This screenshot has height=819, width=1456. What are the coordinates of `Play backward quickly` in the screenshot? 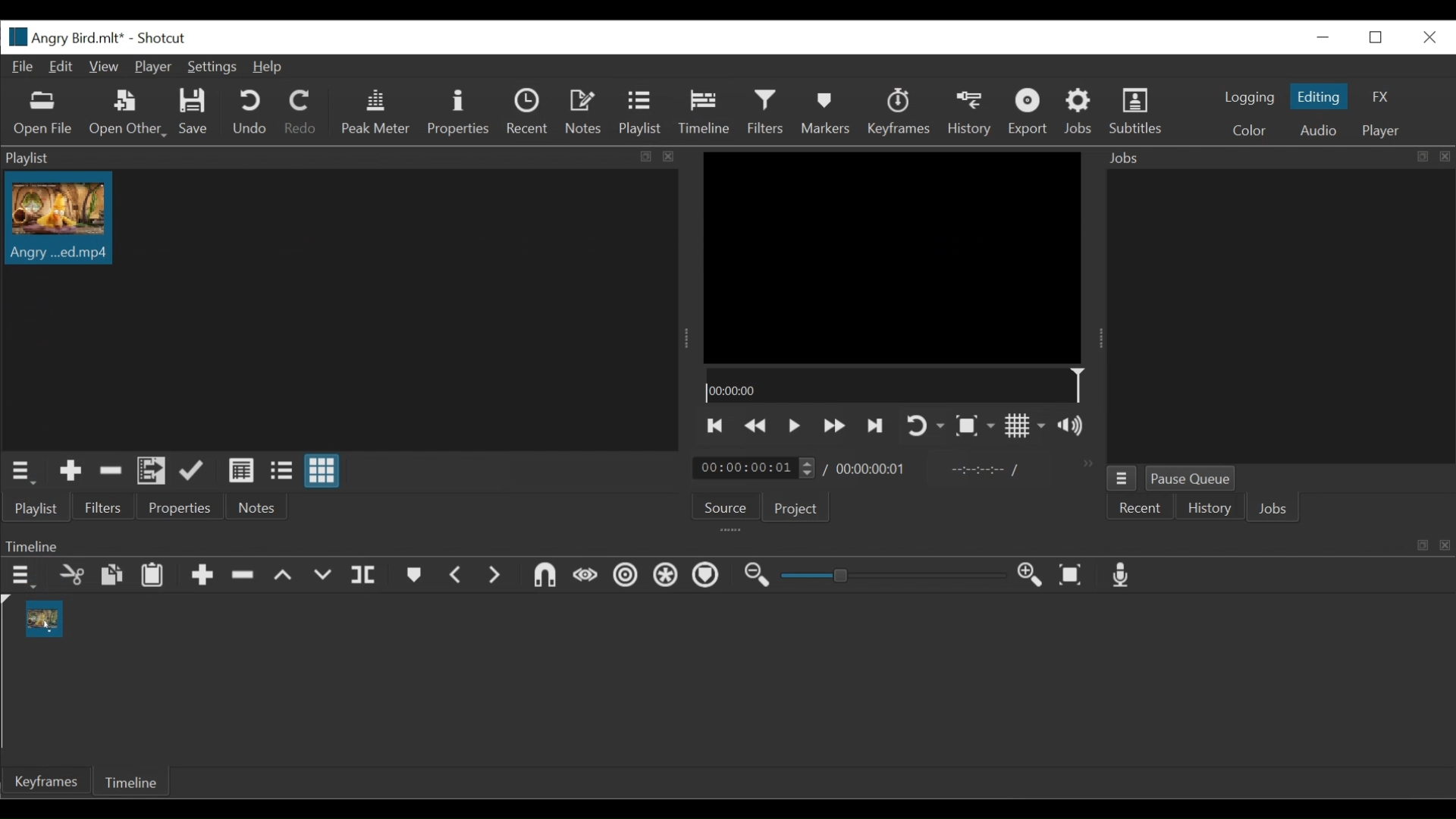 It's located at (834, 426).